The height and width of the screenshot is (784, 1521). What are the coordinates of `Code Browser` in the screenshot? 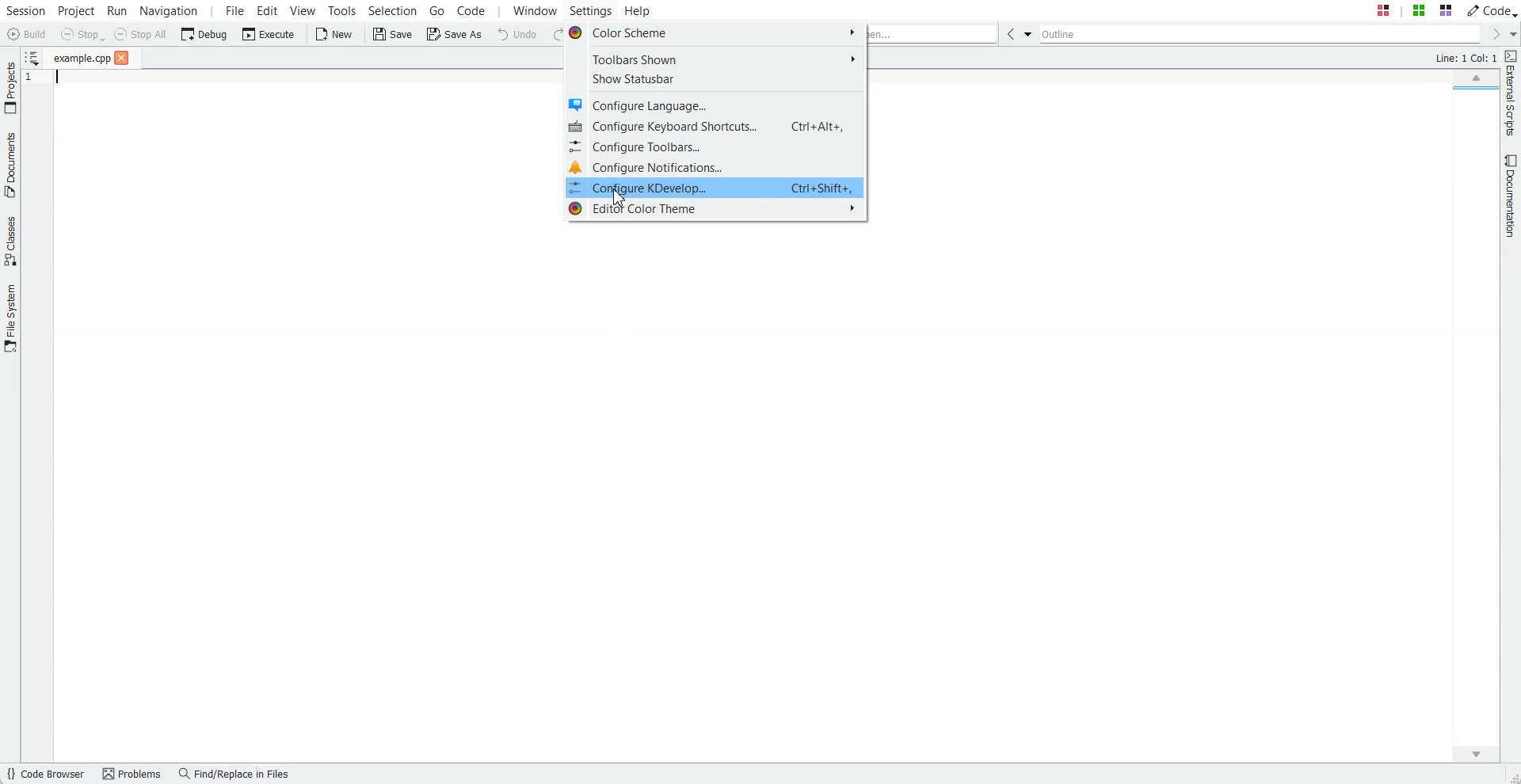 It's located at (48, 774).